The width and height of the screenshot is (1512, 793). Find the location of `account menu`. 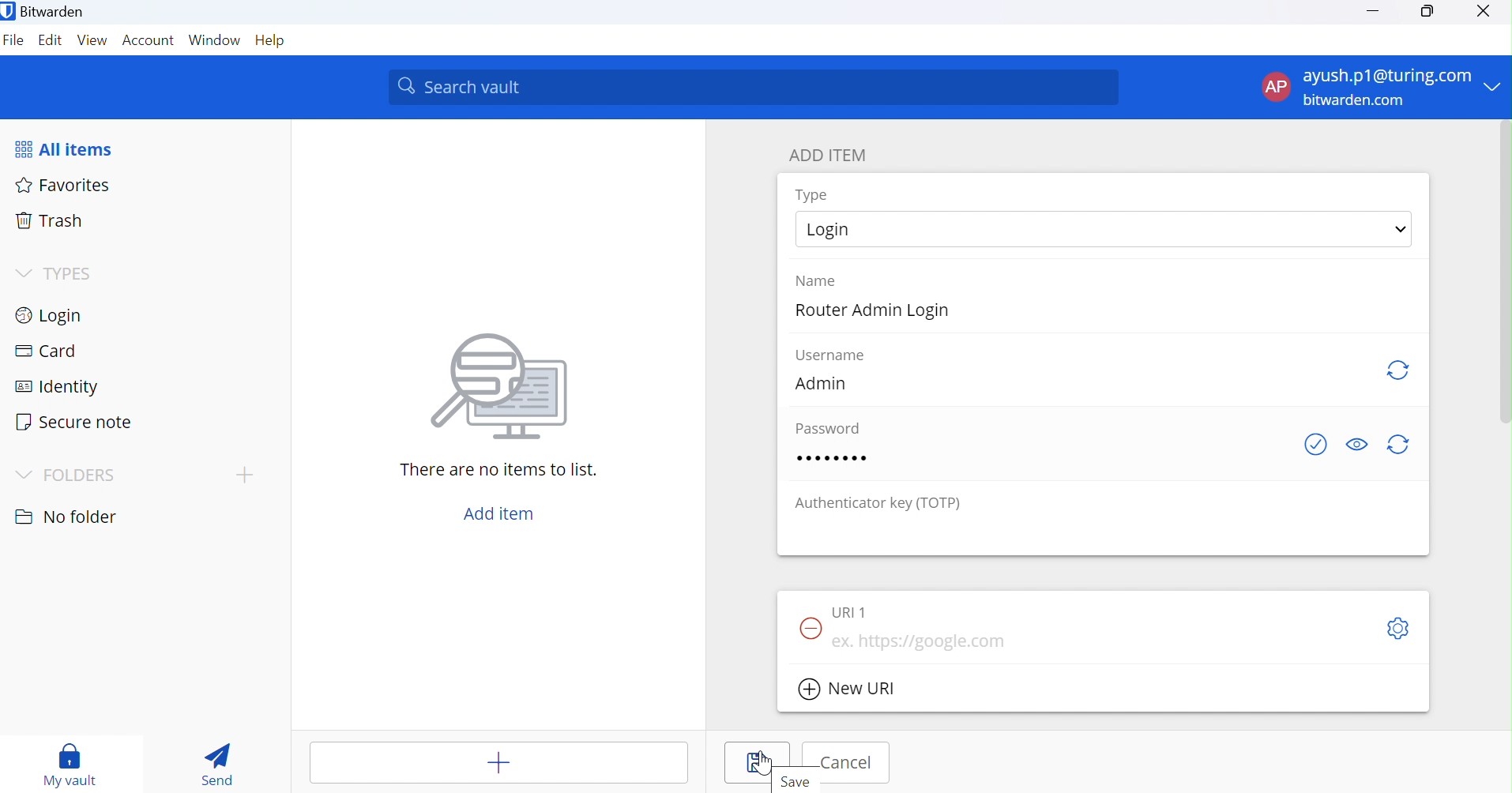

account menu is located at coordinates (1380, 88).